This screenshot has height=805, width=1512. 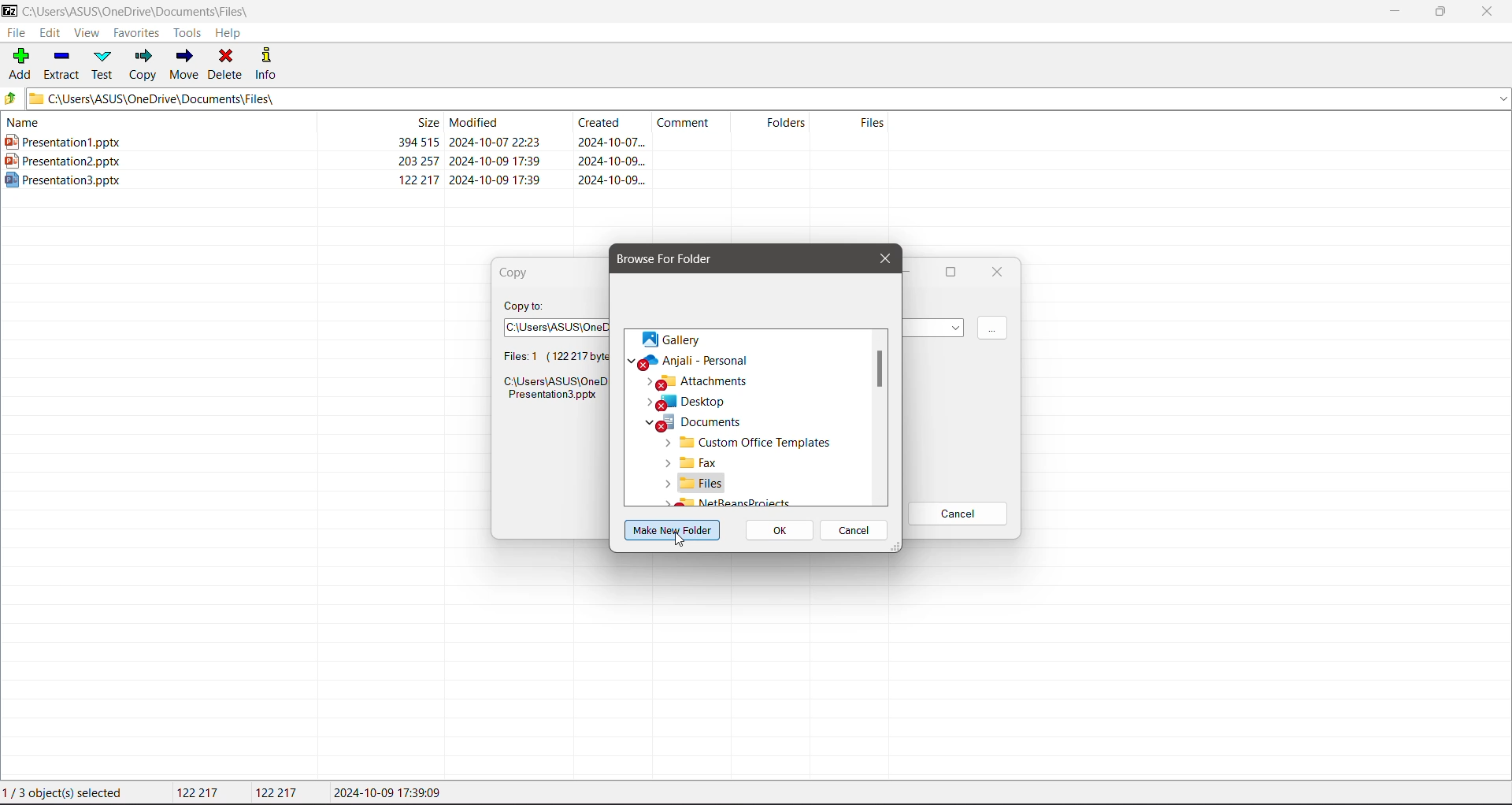 What do you see at coordinates (13, 98) in the screenshot?
I see `Move Up one level` at bounding box center [13, 98].